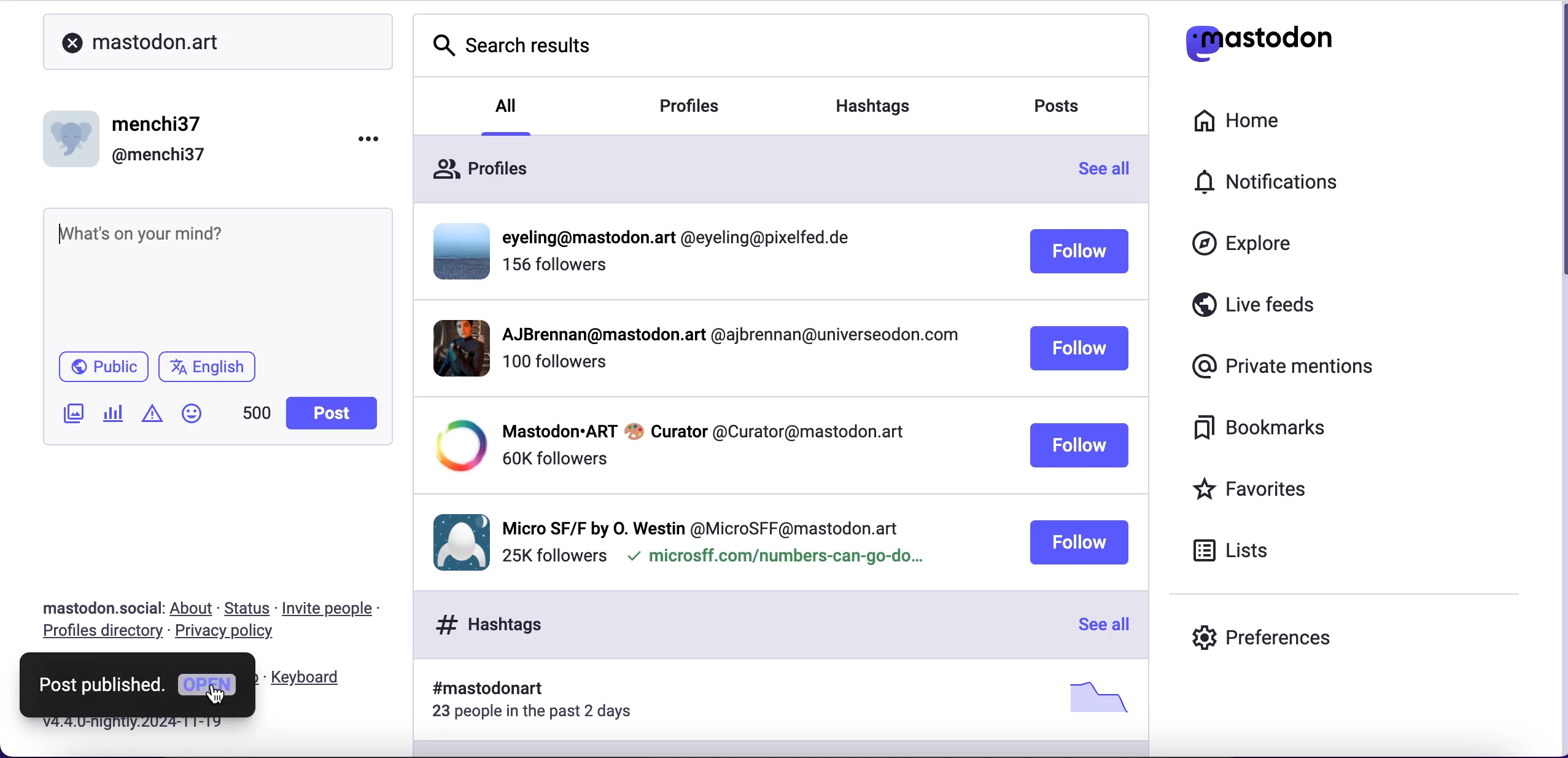  Describe the element at coordinates (209, 688) in the screenshot. I see `open` at that location.